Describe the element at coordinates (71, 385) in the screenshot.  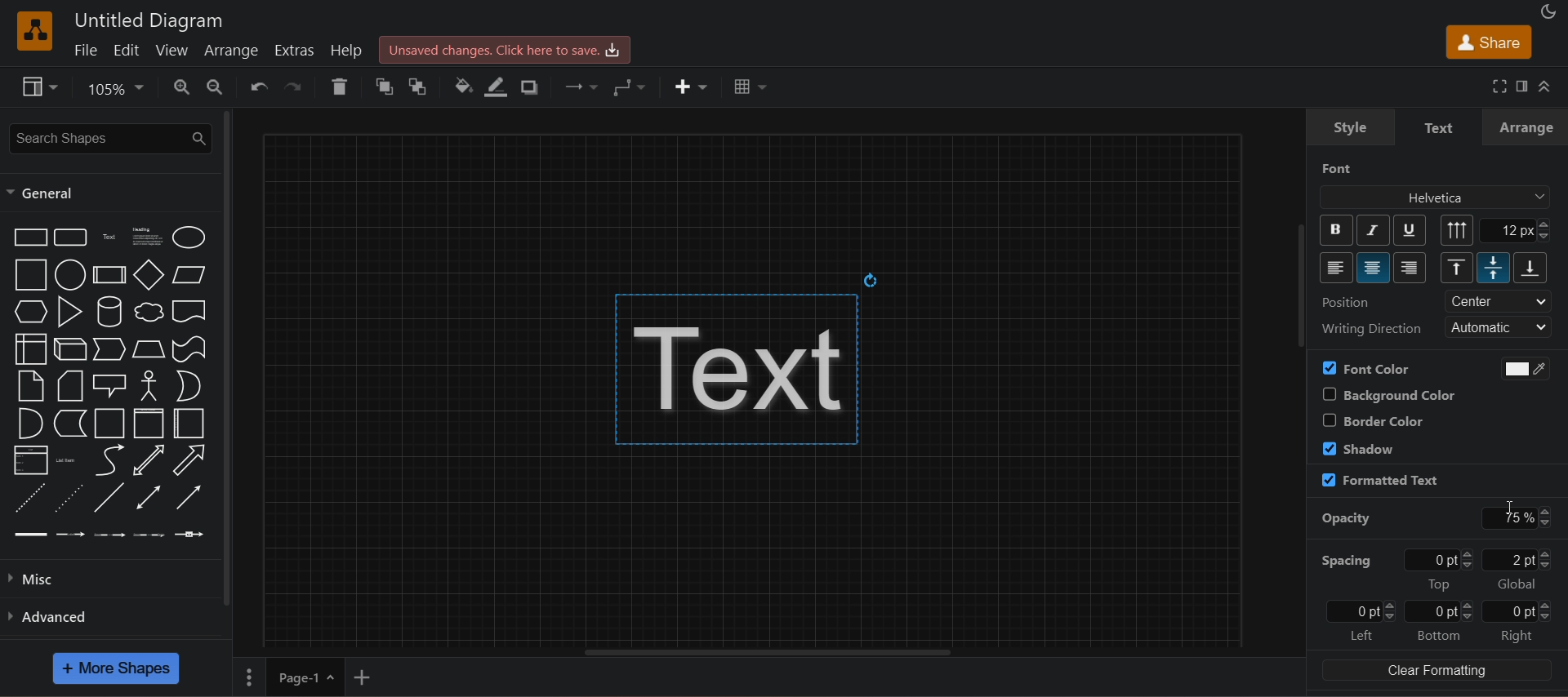
I see `card` at that location.